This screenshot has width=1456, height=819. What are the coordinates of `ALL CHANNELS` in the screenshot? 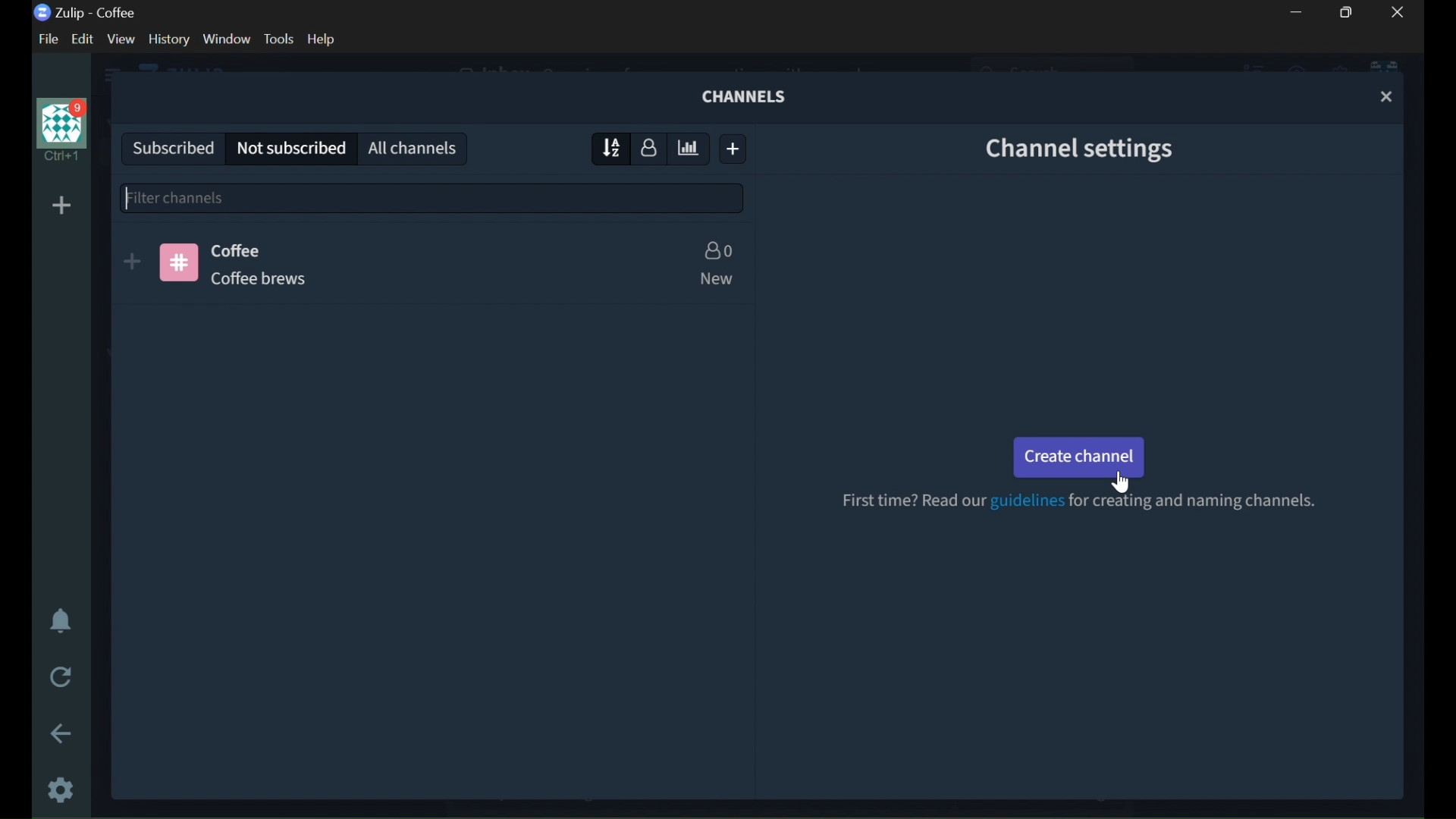 It's located at (415, 147).